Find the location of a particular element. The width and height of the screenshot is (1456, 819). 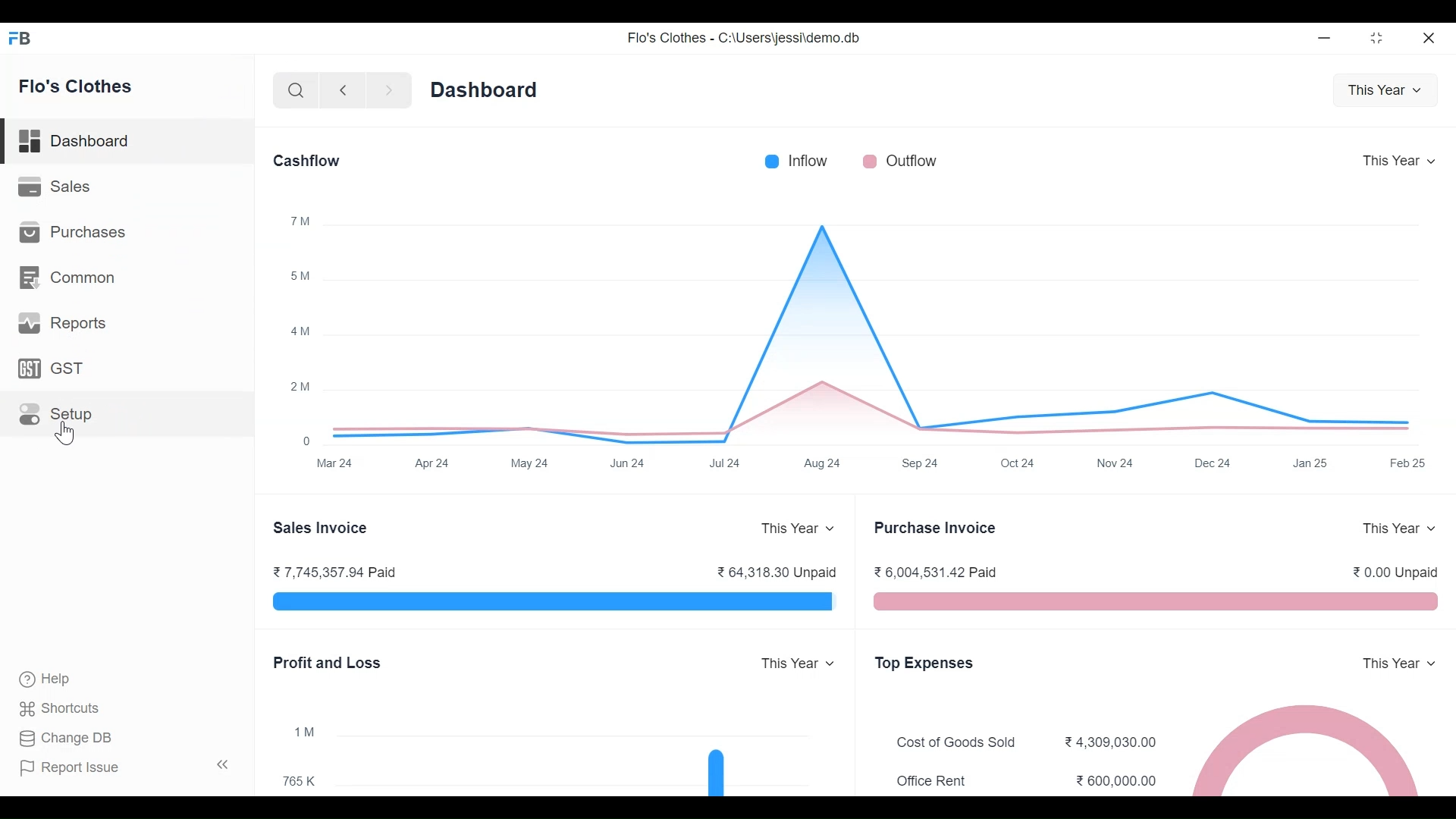

600,000.00 is located at coordinates (1117, 781).